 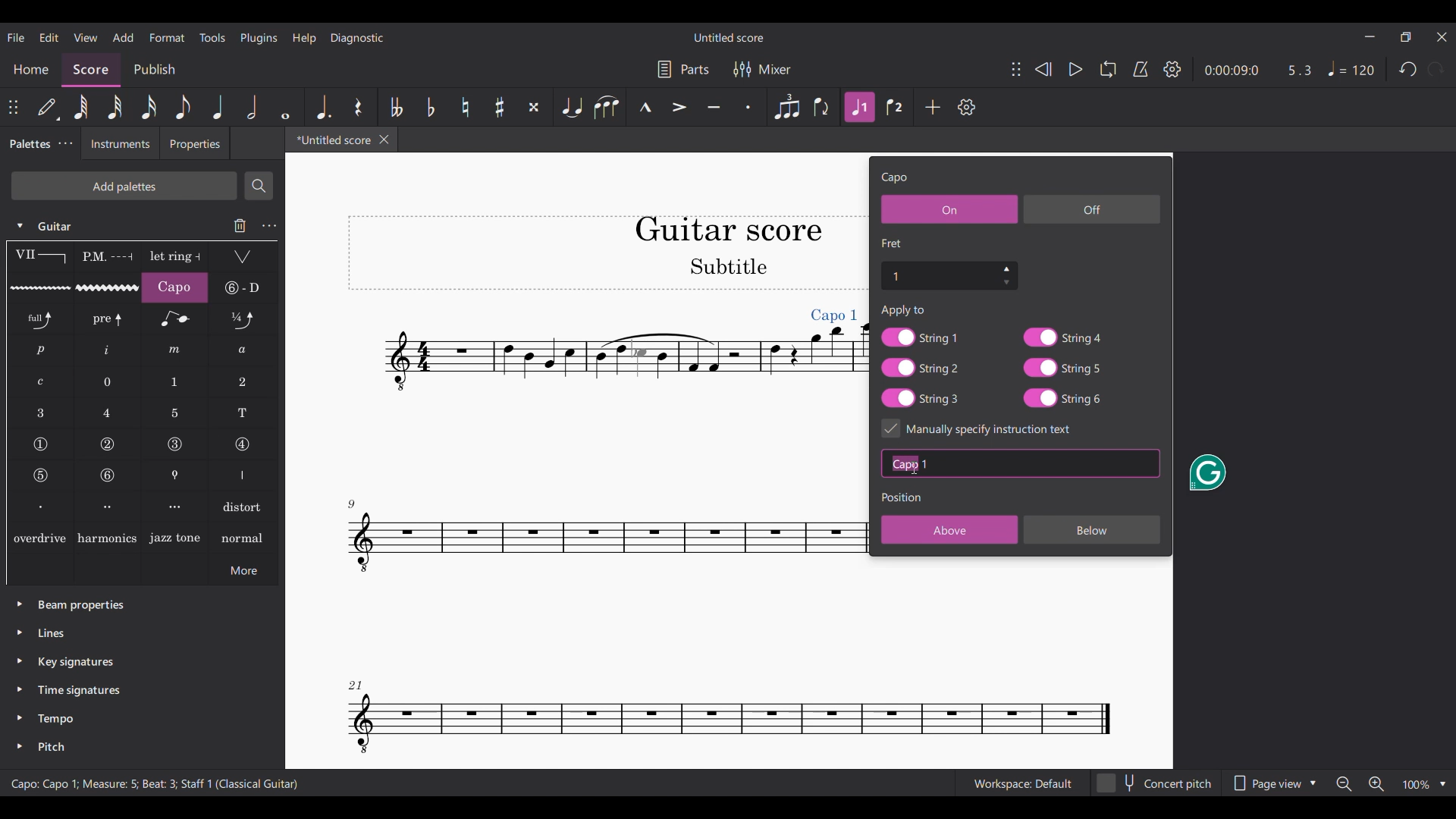 I want to click on String number 3, so click(x=175, y=444).